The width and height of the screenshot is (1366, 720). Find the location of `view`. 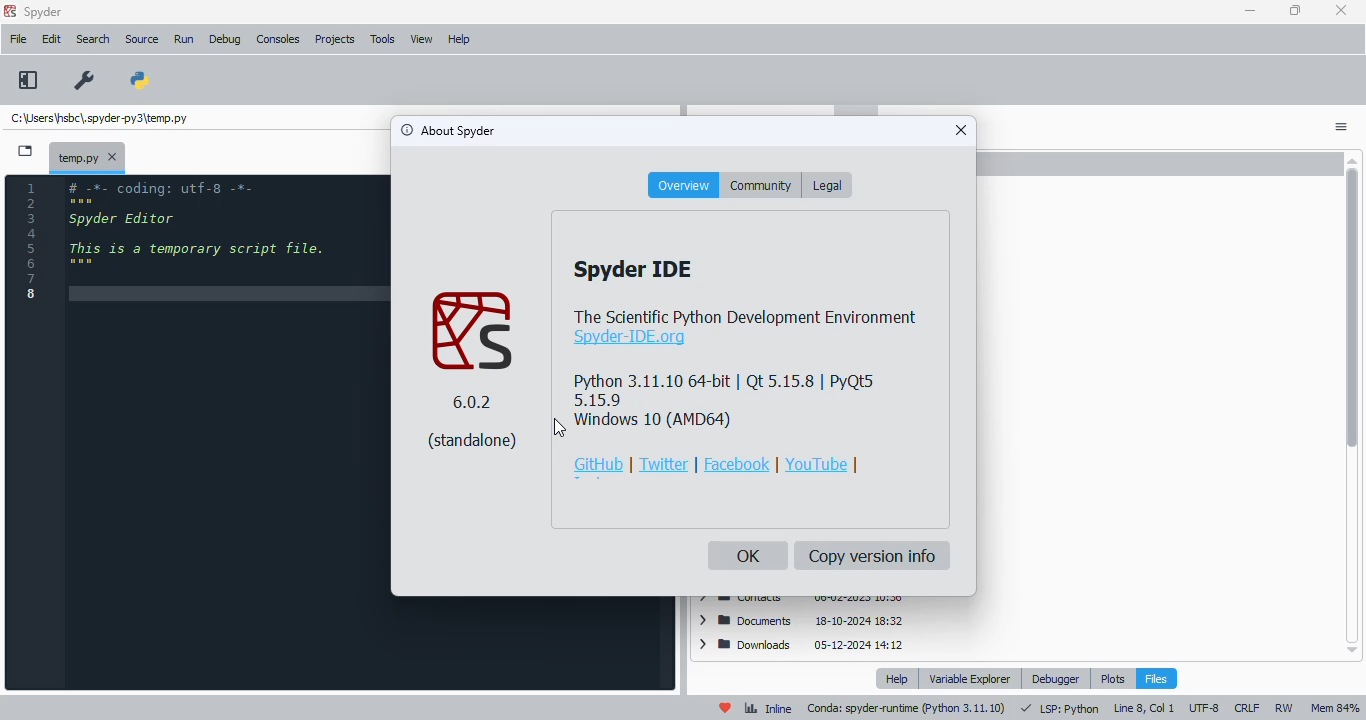

view is located at coordinates (422, 39).